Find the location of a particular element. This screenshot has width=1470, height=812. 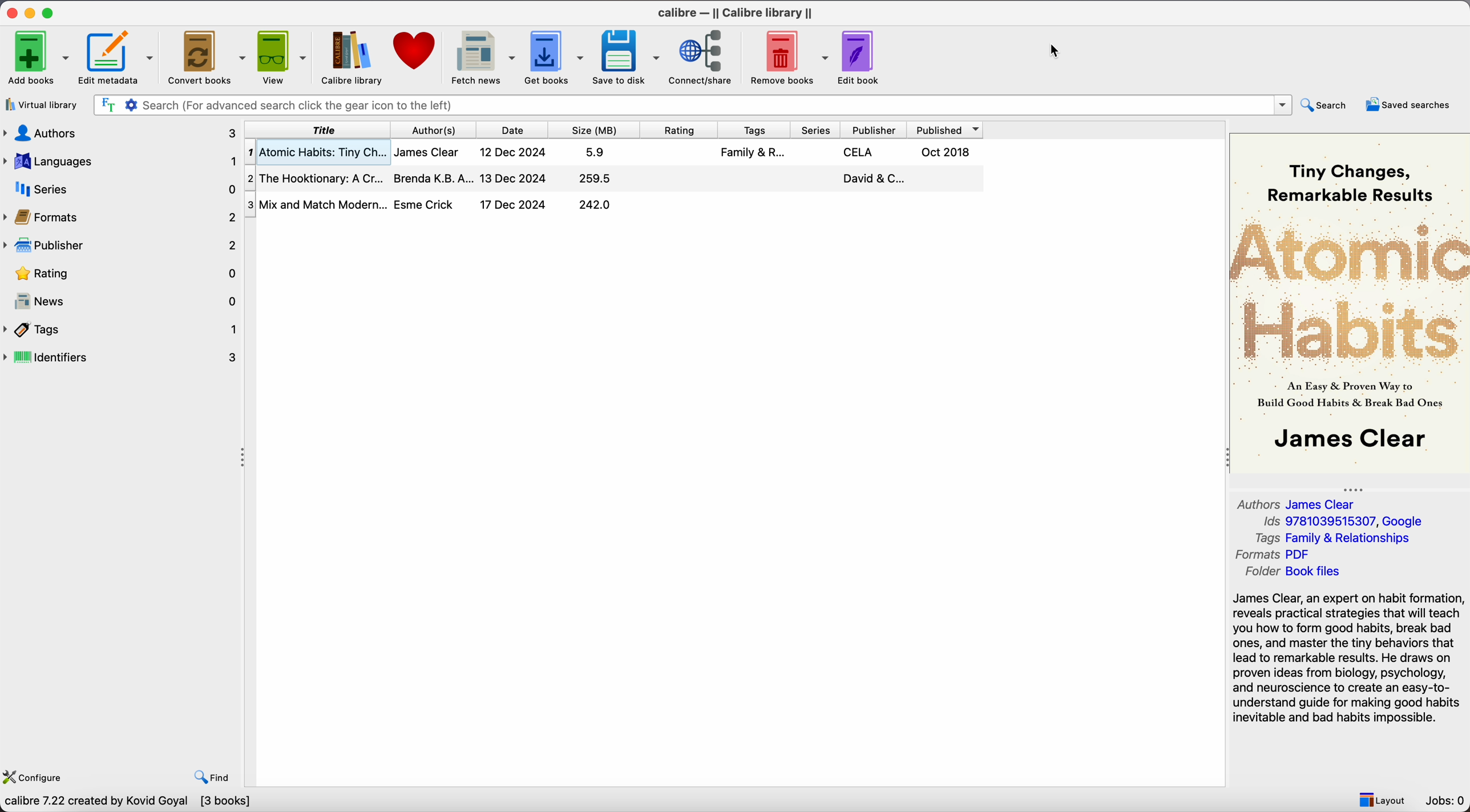

Atomic Habits: Tiny Ch... is located at coordinates (316, 153).